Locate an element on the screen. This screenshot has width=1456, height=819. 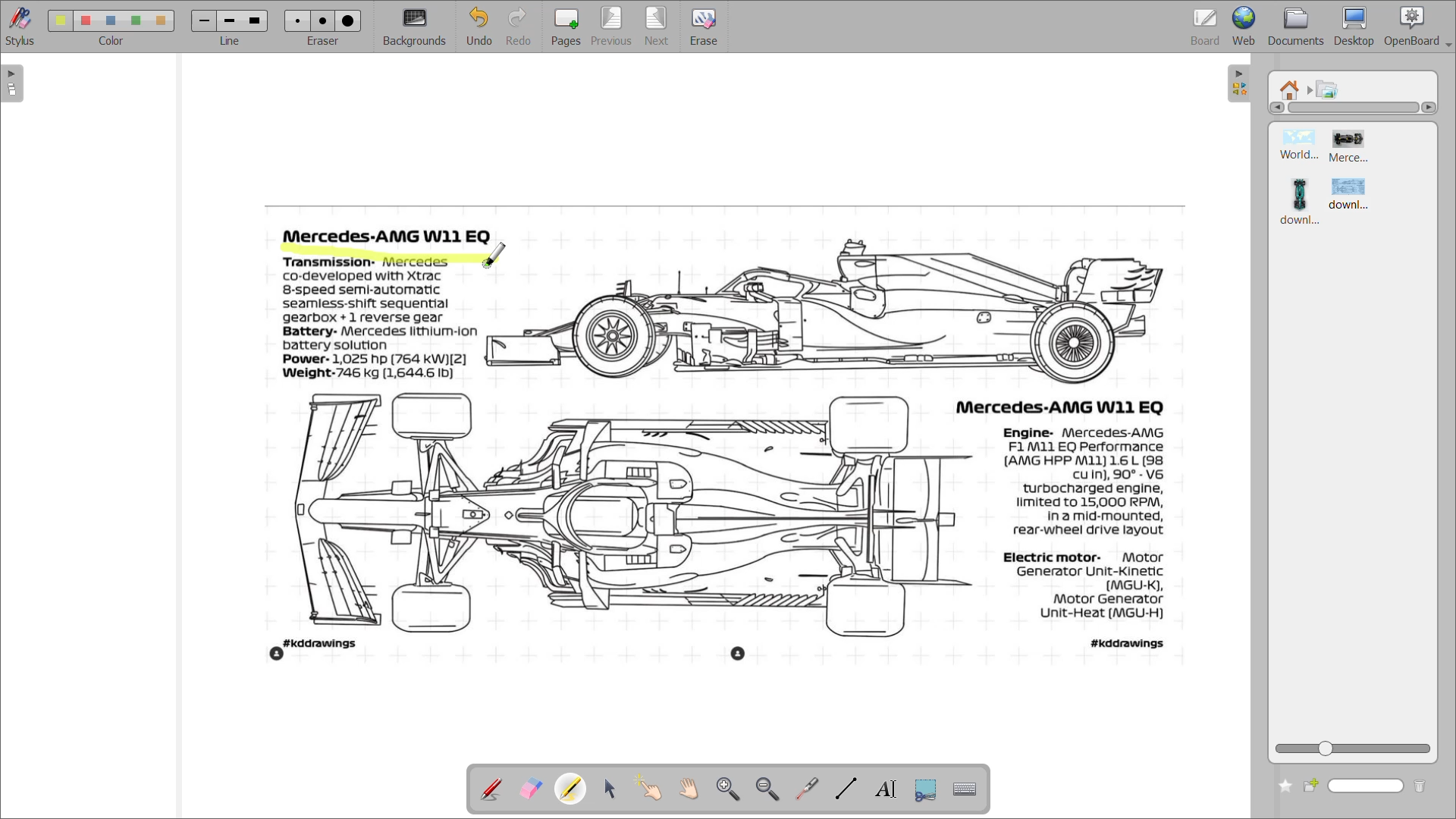
root is located at coordinates (1290, 91).